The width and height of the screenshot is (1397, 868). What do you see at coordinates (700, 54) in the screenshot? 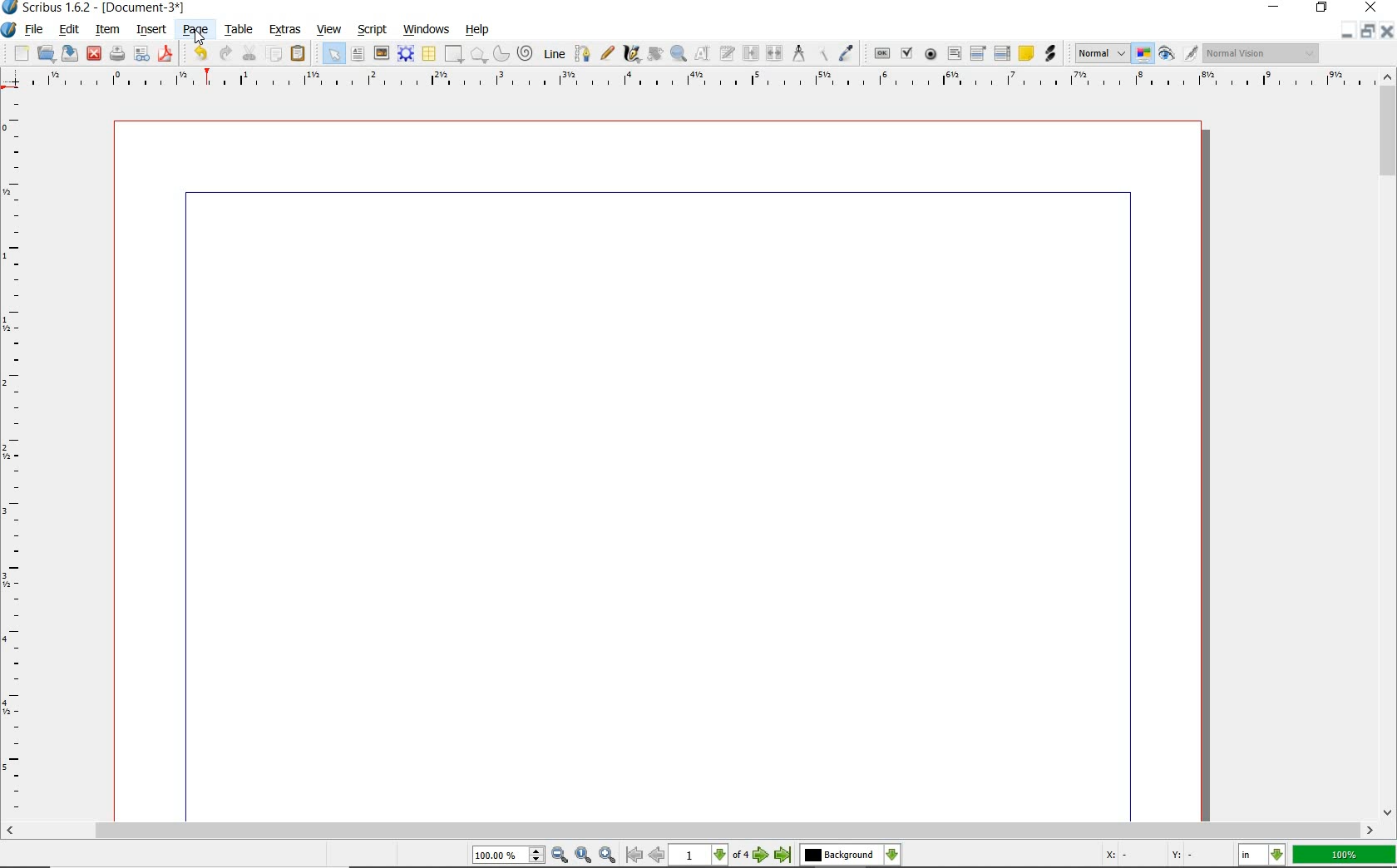
I see `edit contents of frame` at bounding box center [700, 54].